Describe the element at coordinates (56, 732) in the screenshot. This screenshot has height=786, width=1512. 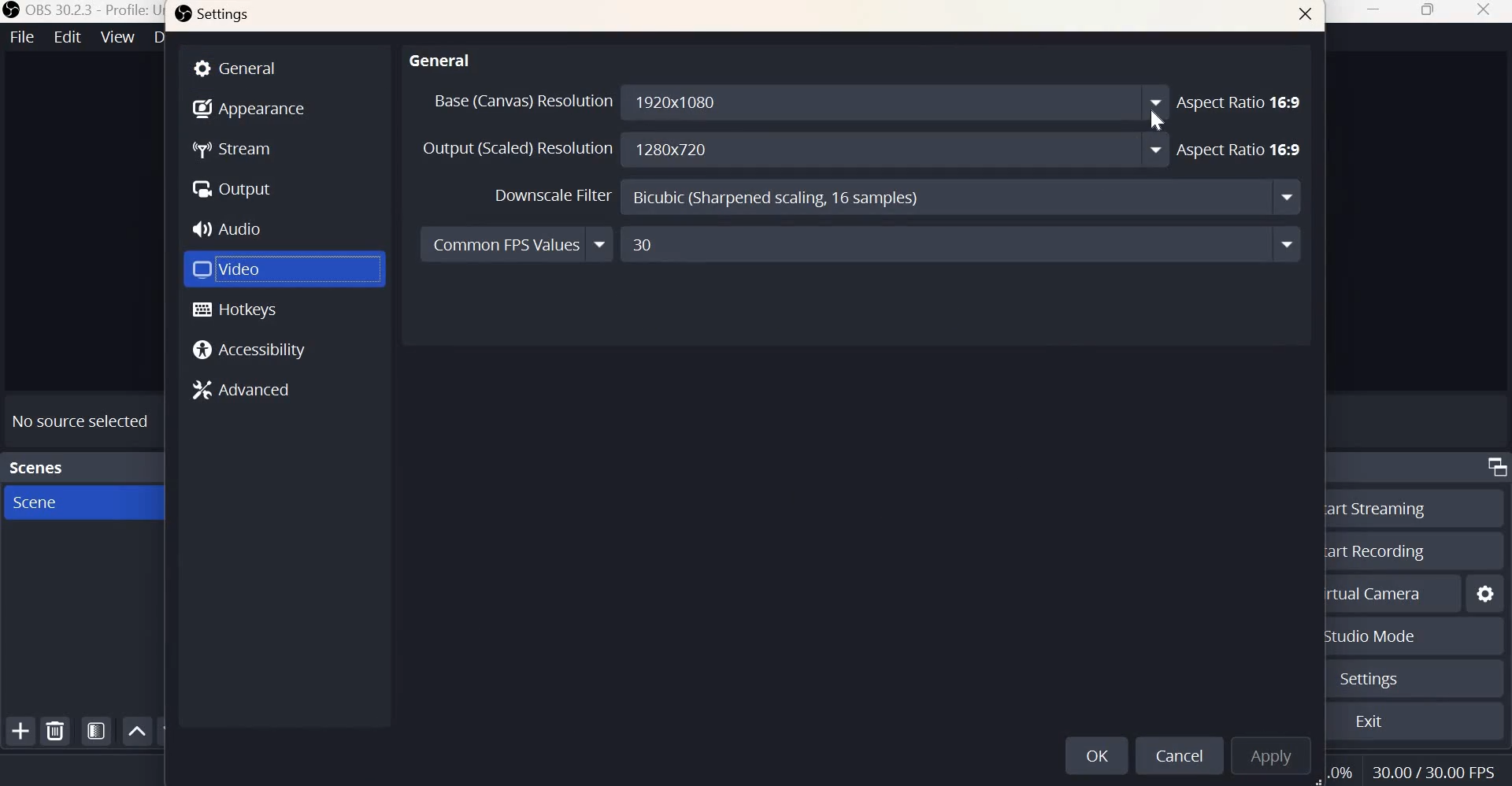
I see `remove selected scene ` at that location.